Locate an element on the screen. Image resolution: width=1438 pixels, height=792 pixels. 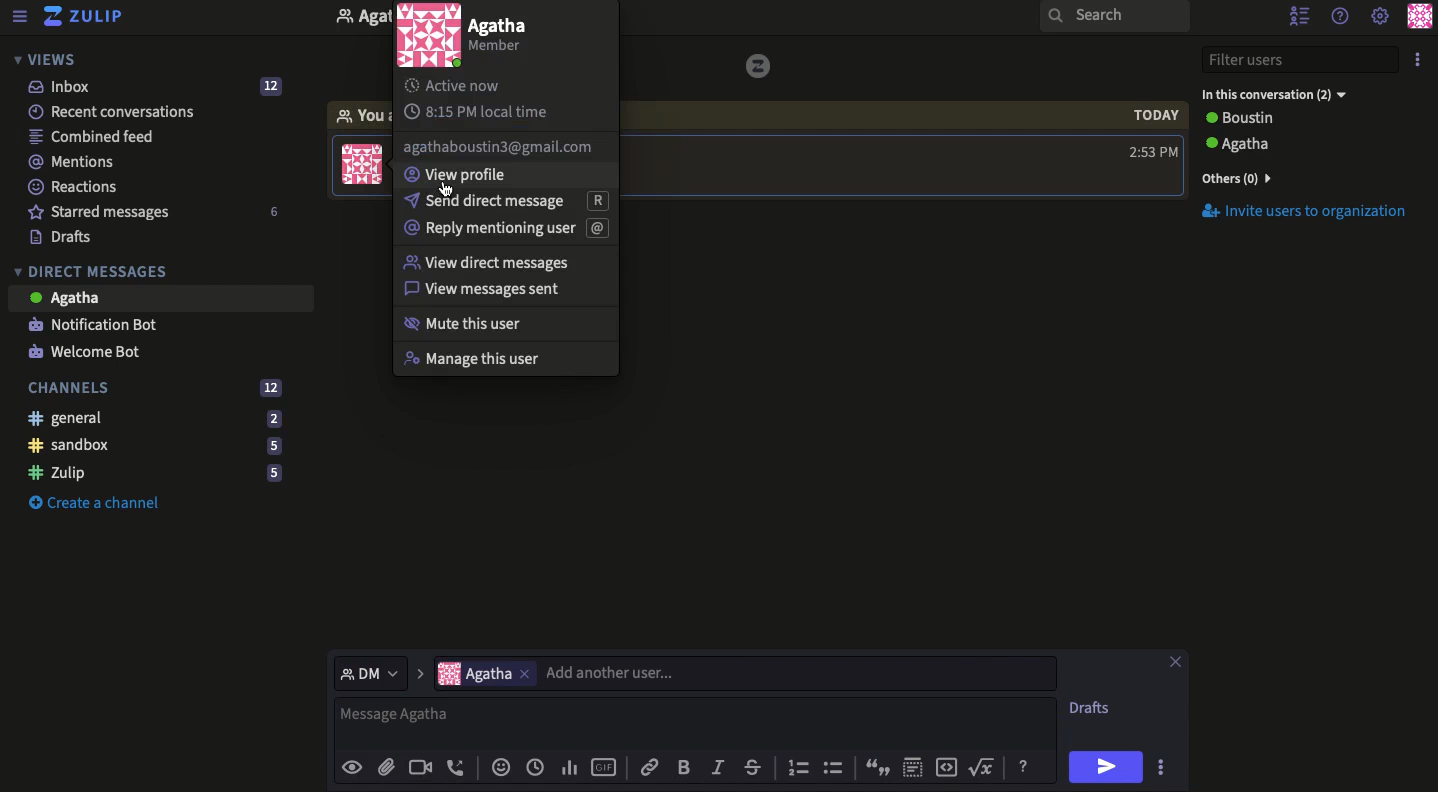
Reactions is located at coordinates (75, 186).